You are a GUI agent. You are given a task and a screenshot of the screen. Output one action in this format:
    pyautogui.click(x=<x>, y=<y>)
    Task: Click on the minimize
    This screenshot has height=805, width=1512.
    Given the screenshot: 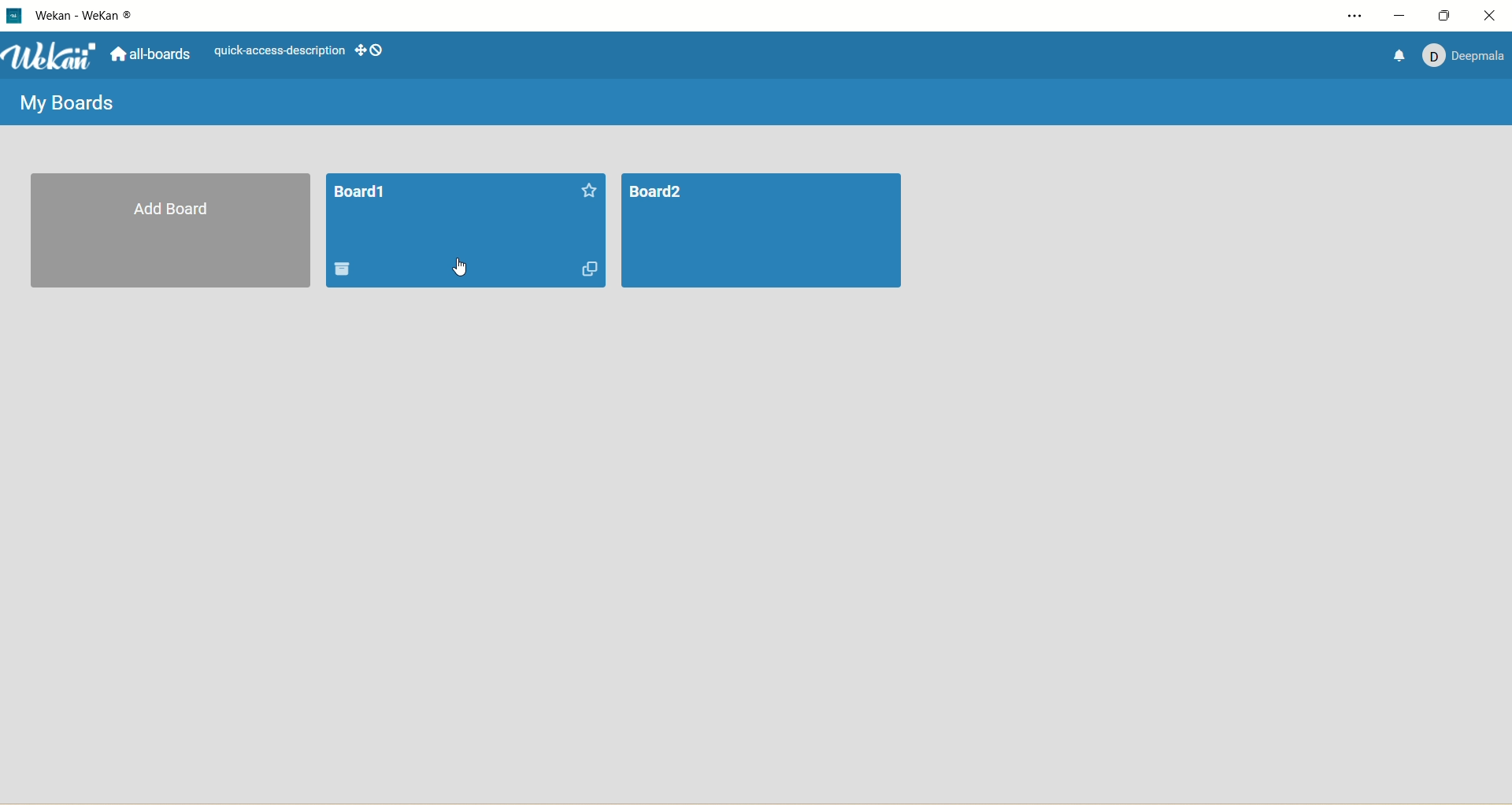 What is the action you would take?
    pyautogui.click(x=1398, y=16)
    